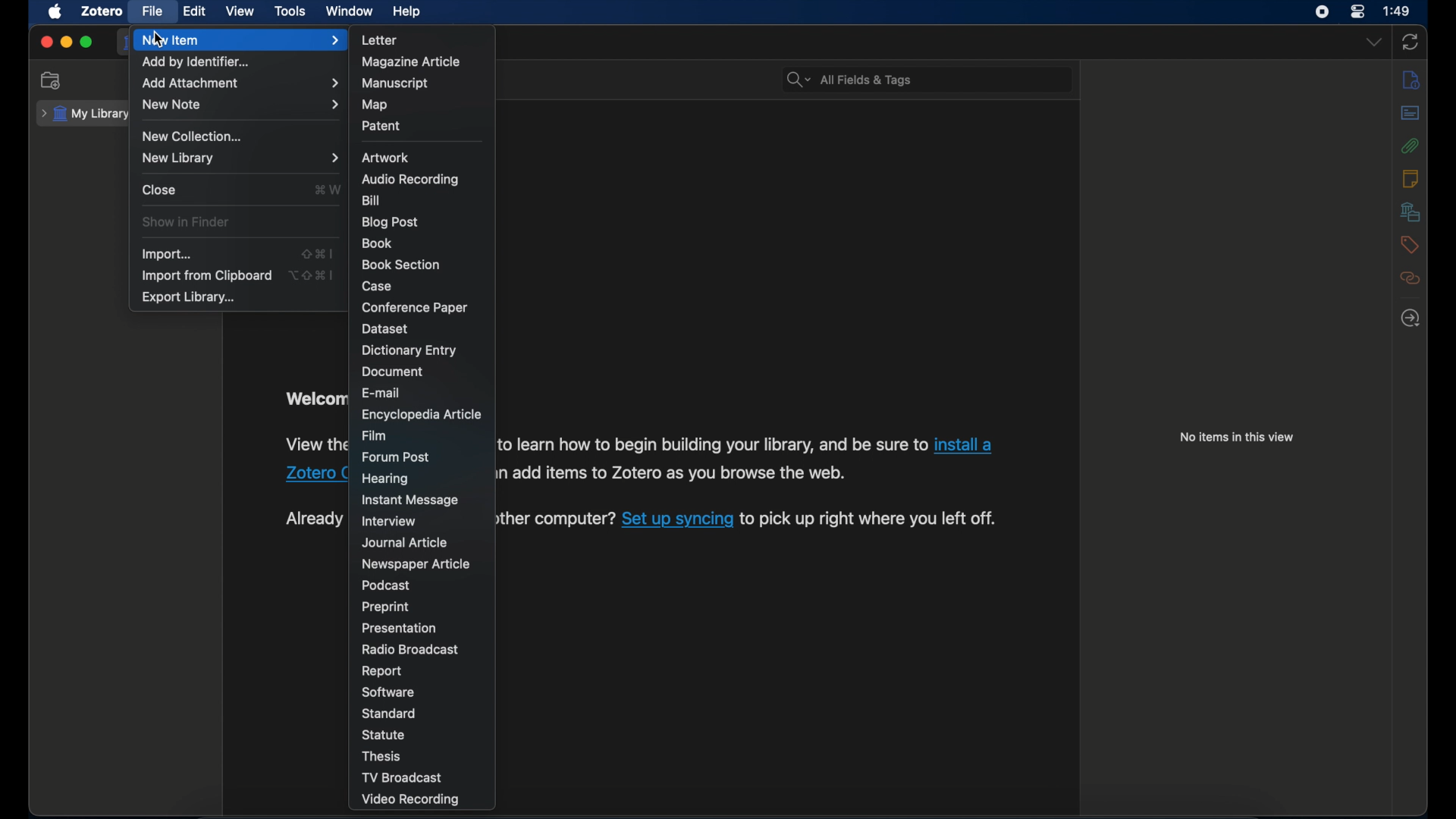 Image resolution: width=1456 pixels, height=819 pixels. Describe the element at coordinates (384, 735) in the screenshot. I see `statue` at that location.